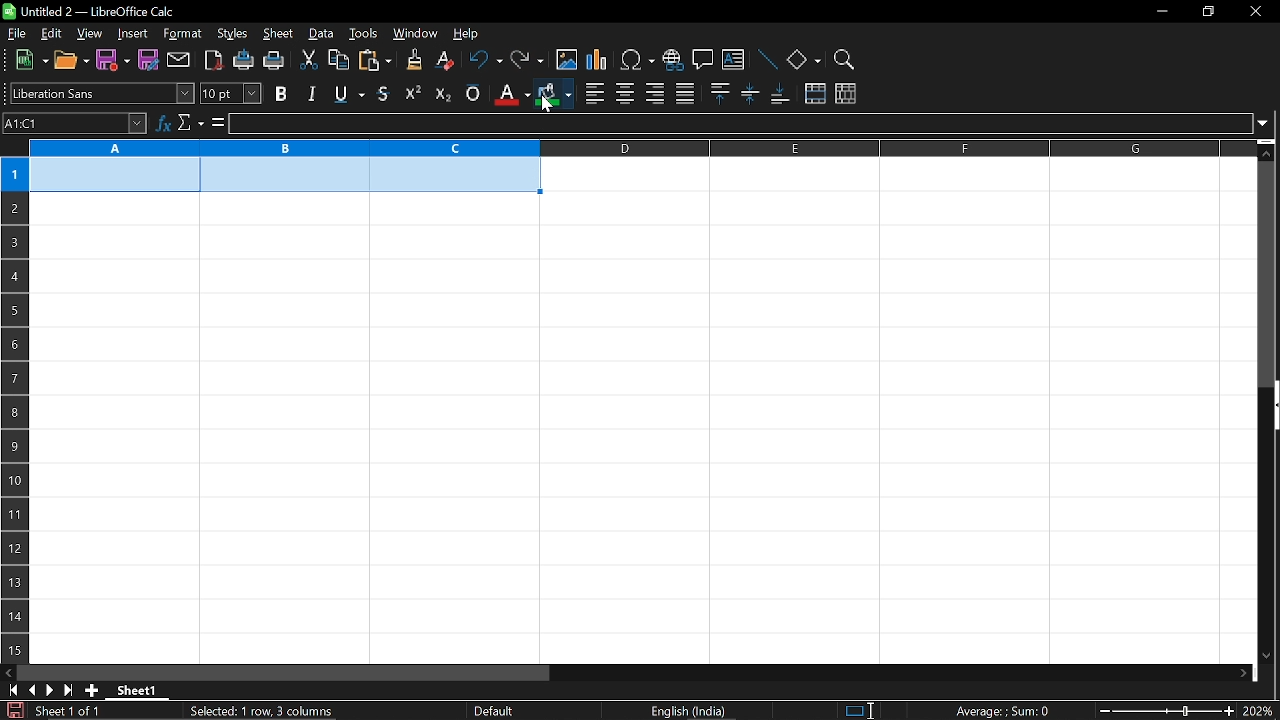 The height and width of the screenshot is (720, 1280). Describe the element at coordinates (815, 94) in the screenshot. I see `merge cells` at that location.